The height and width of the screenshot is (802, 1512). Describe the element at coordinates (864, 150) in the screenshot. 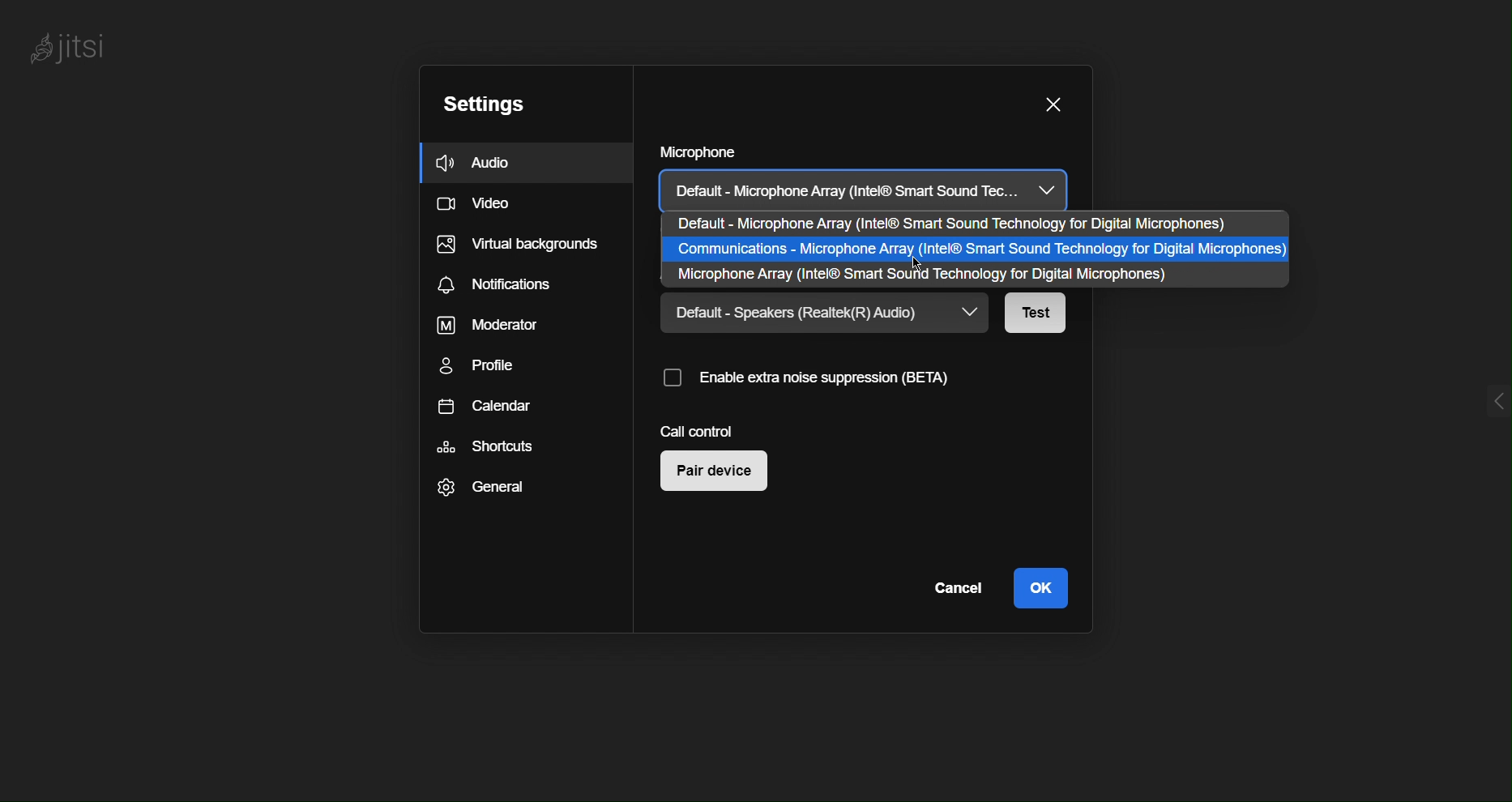

I see `Microphone` at that location.